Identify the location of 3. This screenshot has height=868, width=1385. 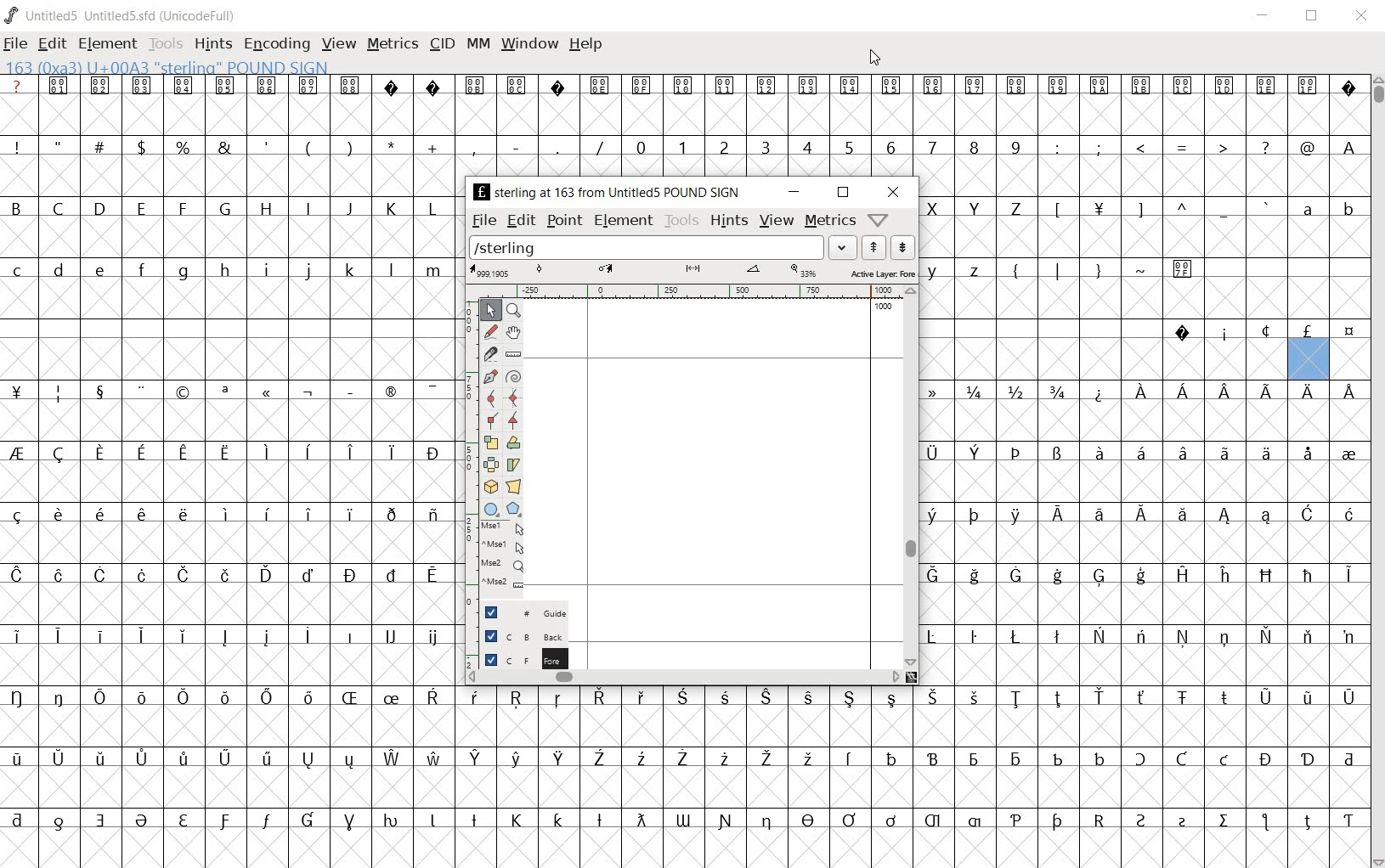
(765, 146).